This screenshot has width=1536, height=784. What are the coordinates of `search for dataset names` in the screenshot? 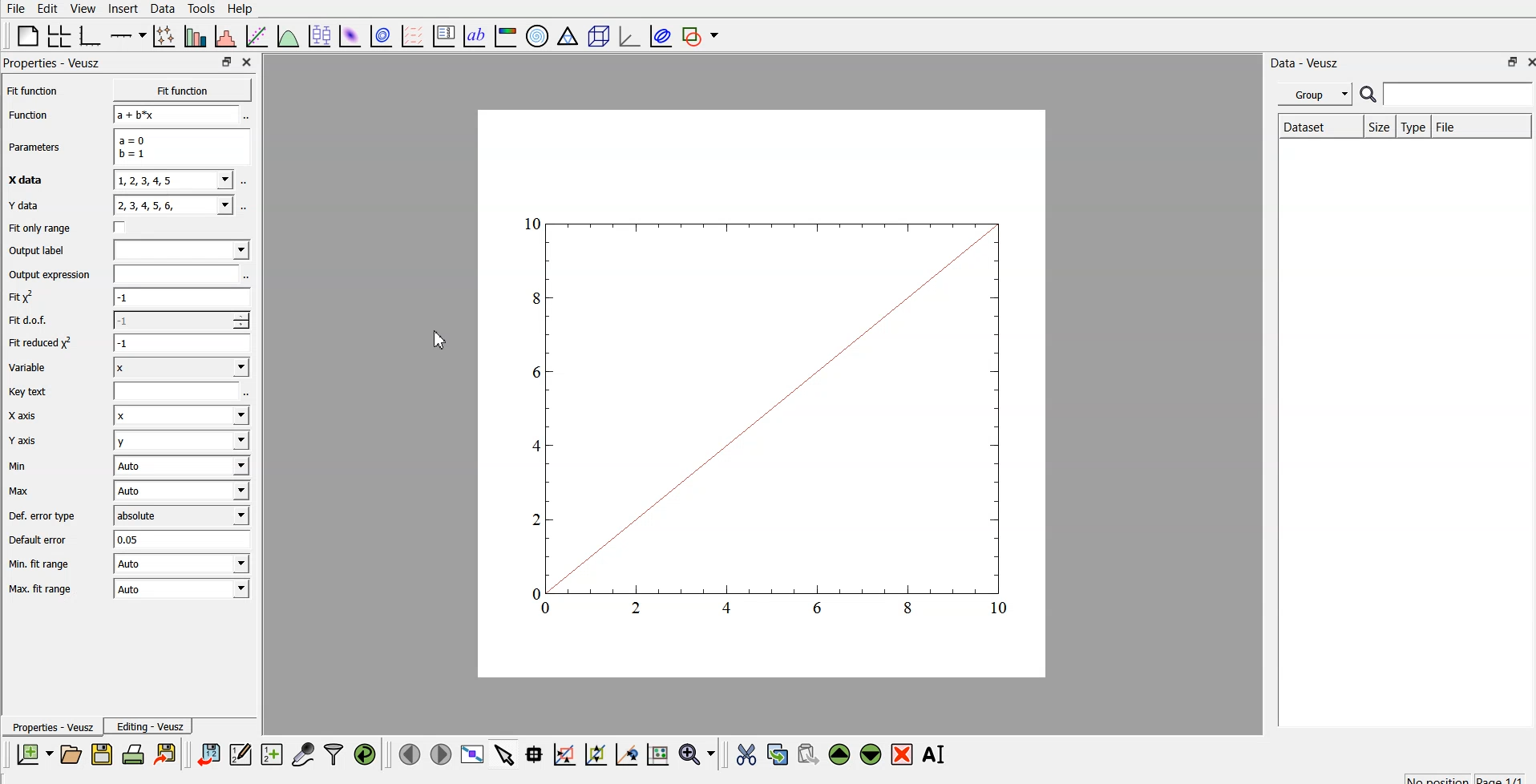 It's located at (1457, 94).